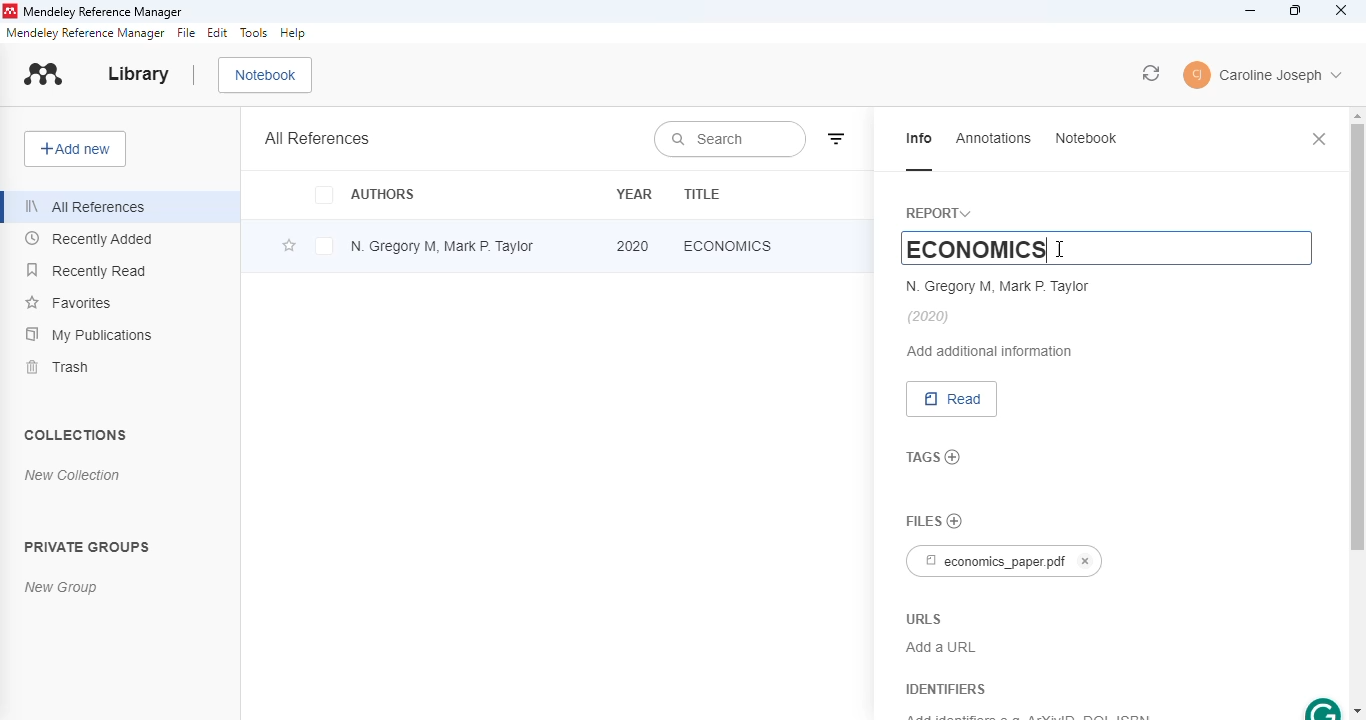 The width and height of the screenshot is (1366, 720). What do you see at coordinates (995, 138) in the screenshot?
I see `annotations` at bounding box center [995, 138].